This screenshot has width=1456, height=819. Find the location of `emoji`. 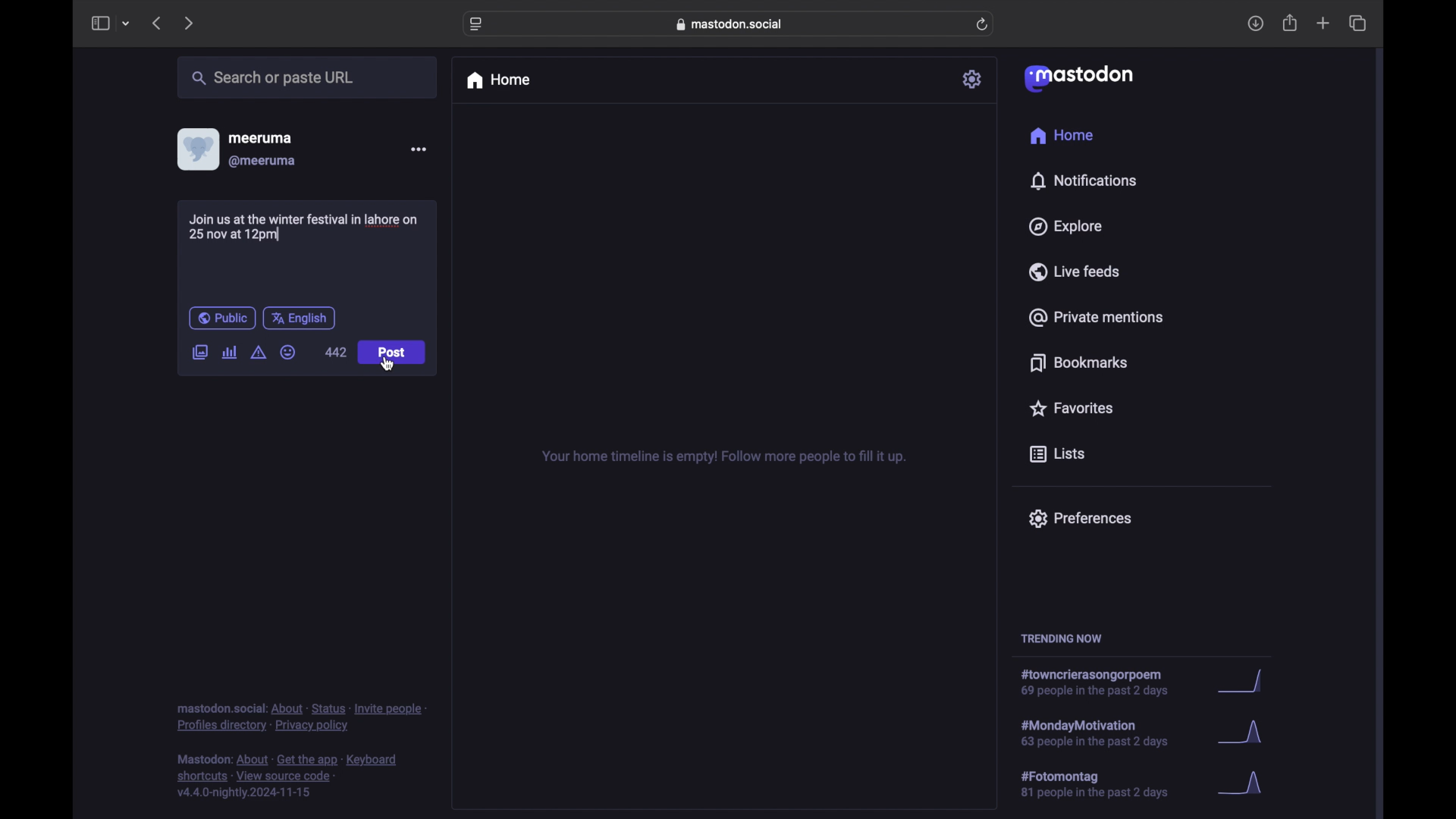

emoji is located at coordinates (288, 353).